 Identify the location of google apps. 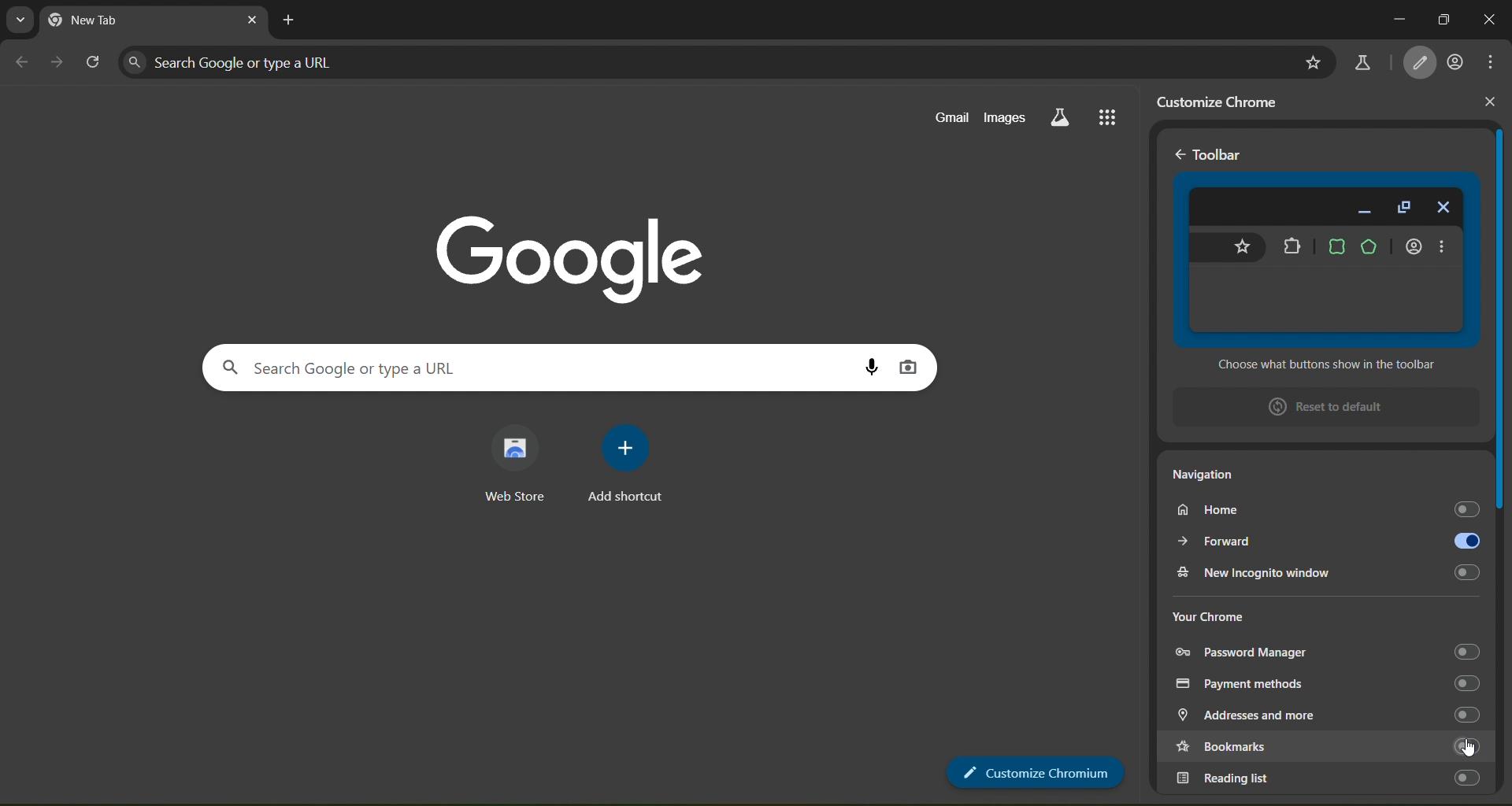
(1114, 117).